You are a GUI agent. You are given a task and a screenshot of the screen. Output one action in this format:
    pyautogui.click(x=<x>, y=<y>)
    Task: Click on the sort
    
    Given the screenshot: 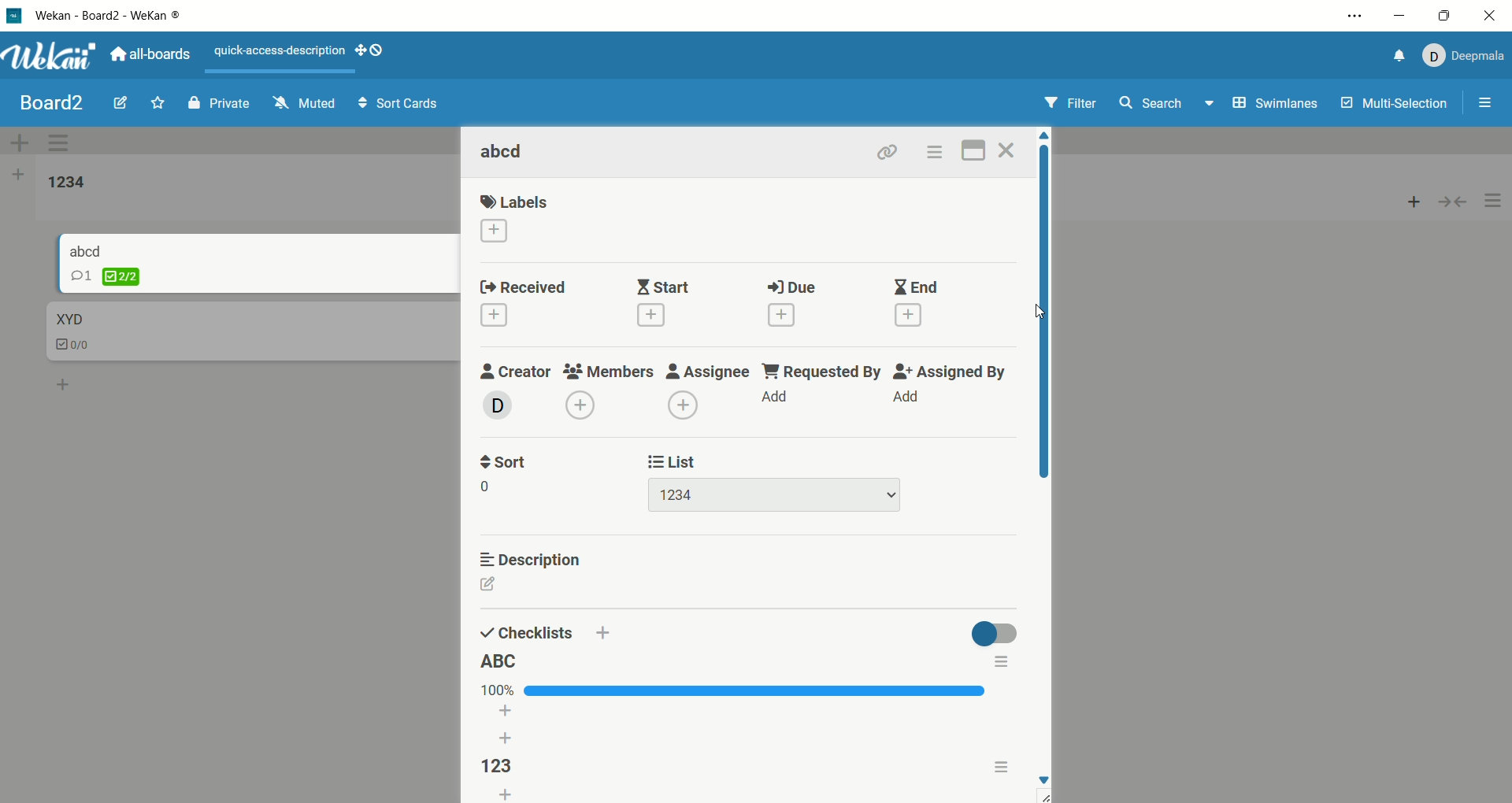 What is the action you would take?
    pyautogui.click(x=502, y=461)
    